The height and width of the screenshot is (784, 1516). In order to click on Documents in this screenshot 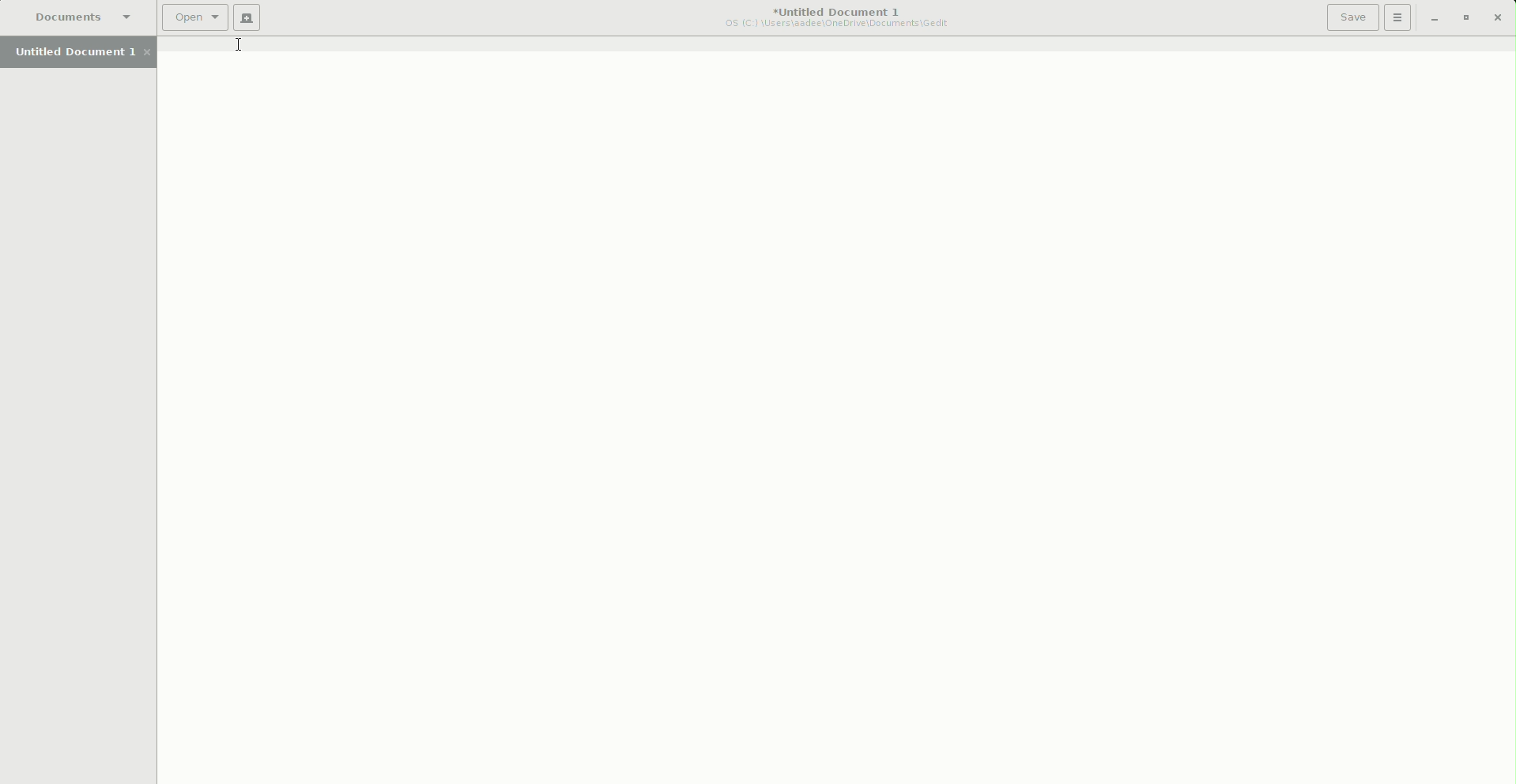, I will do `click(78, 16)`.